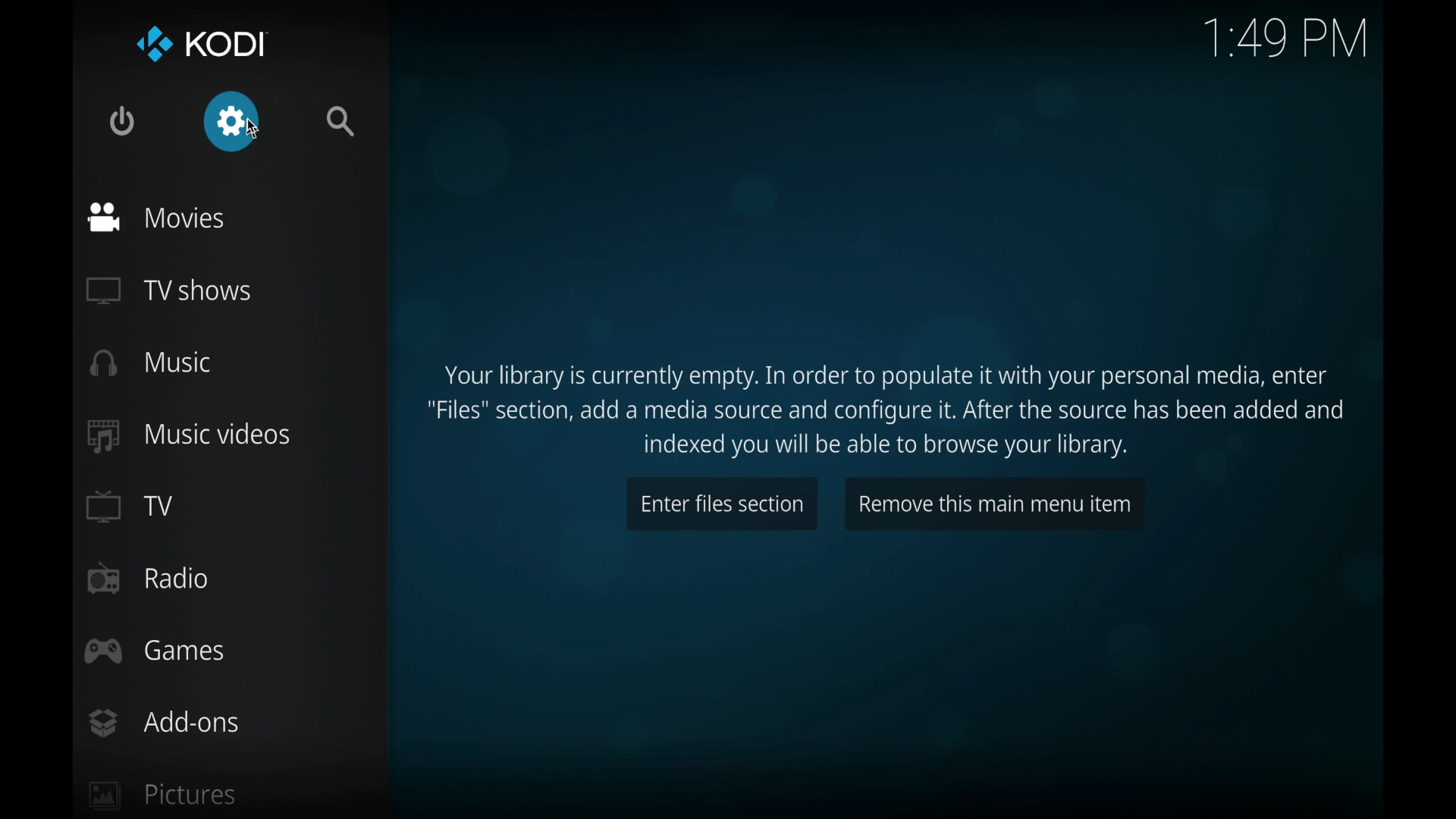  I want to click on settings, so click(231, 122).